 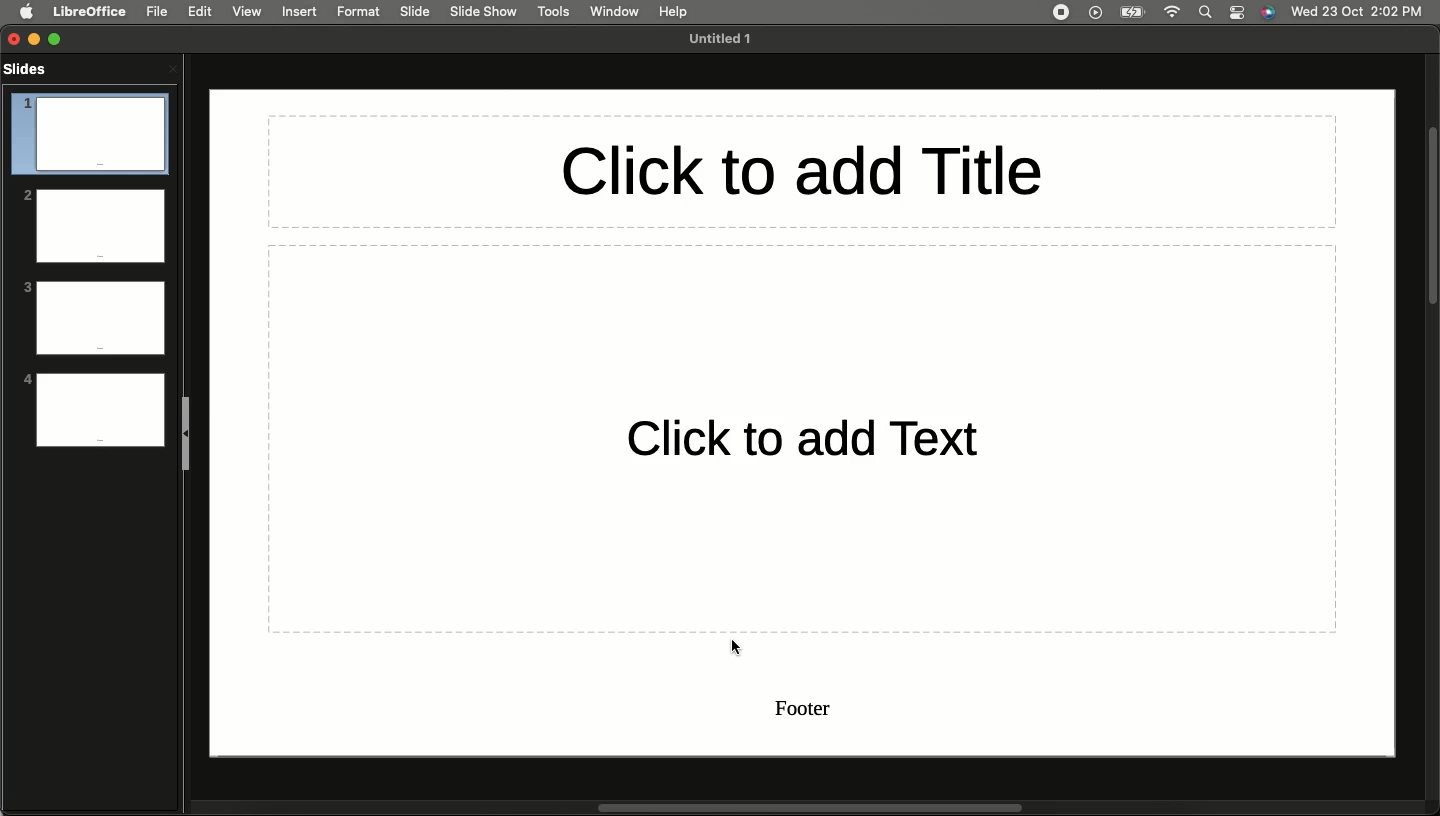 What do you see at coordinates (1357, 10) in the screenshot?
I see `Date/time` at bounding box center [1357, 10].